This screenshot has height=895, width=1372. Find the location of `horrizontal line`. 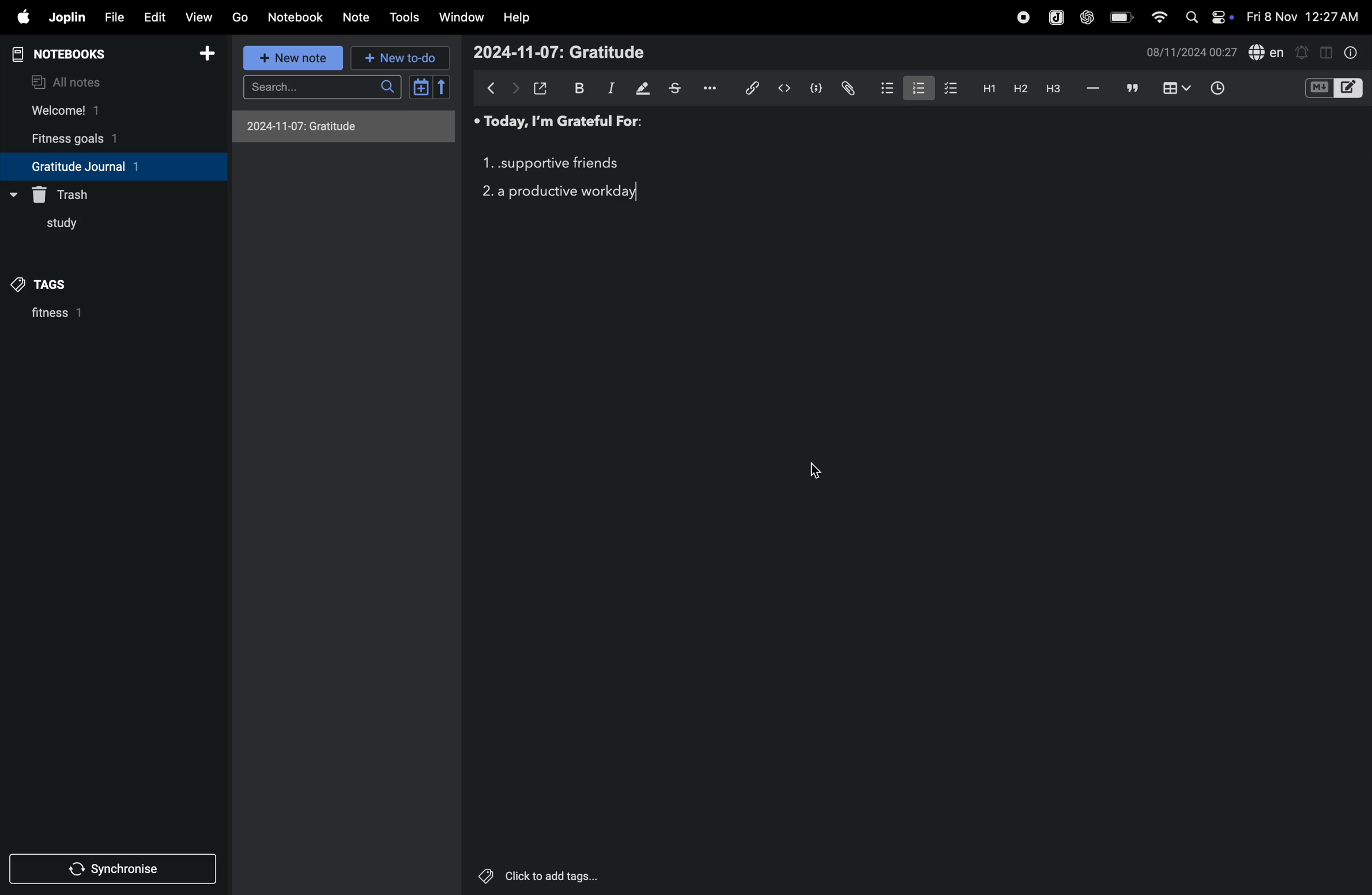

horrizontal line is located at coordinates (1094, 89).